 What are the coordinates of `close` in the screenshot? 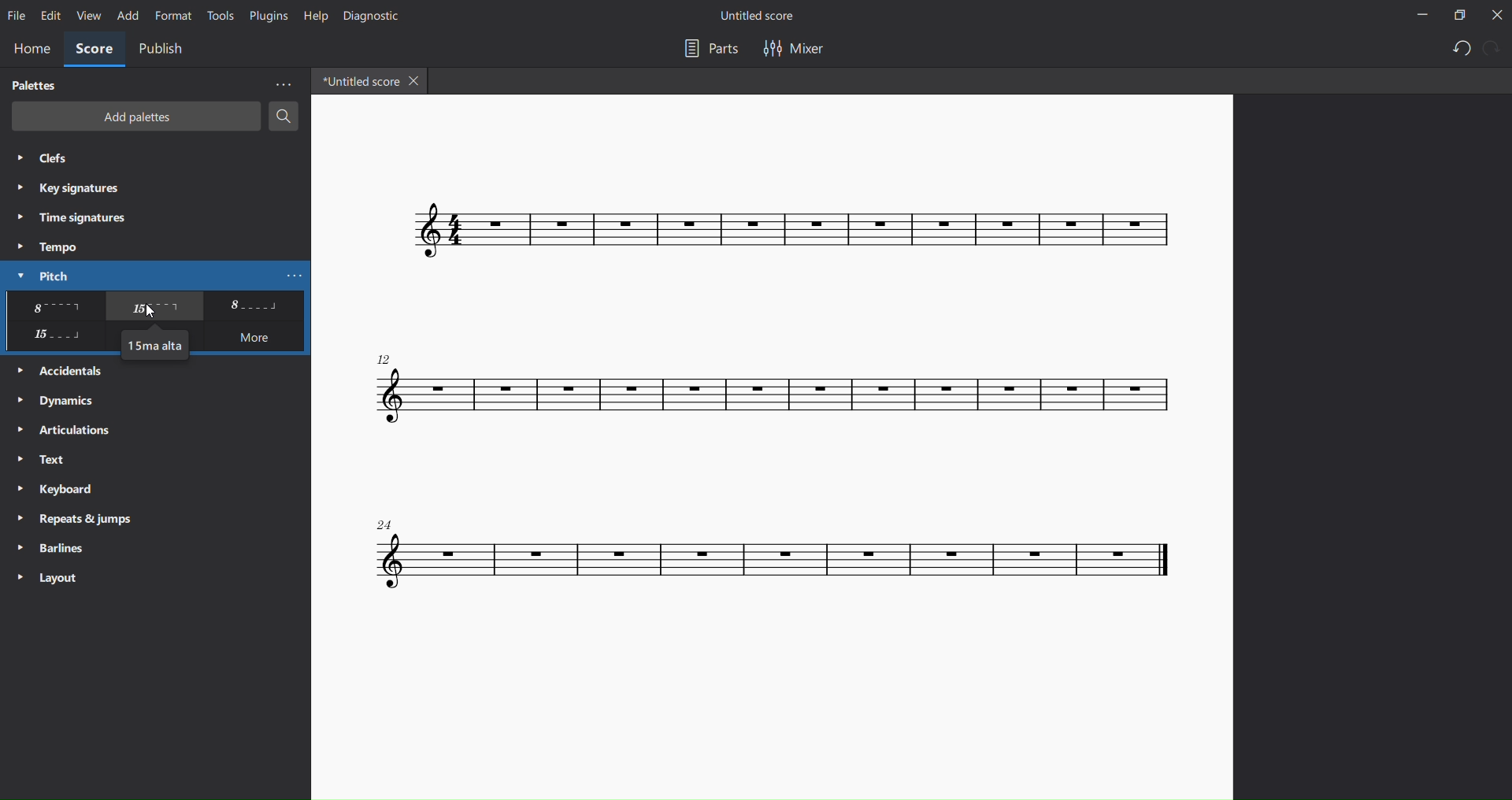 It's located at (1495, 14).